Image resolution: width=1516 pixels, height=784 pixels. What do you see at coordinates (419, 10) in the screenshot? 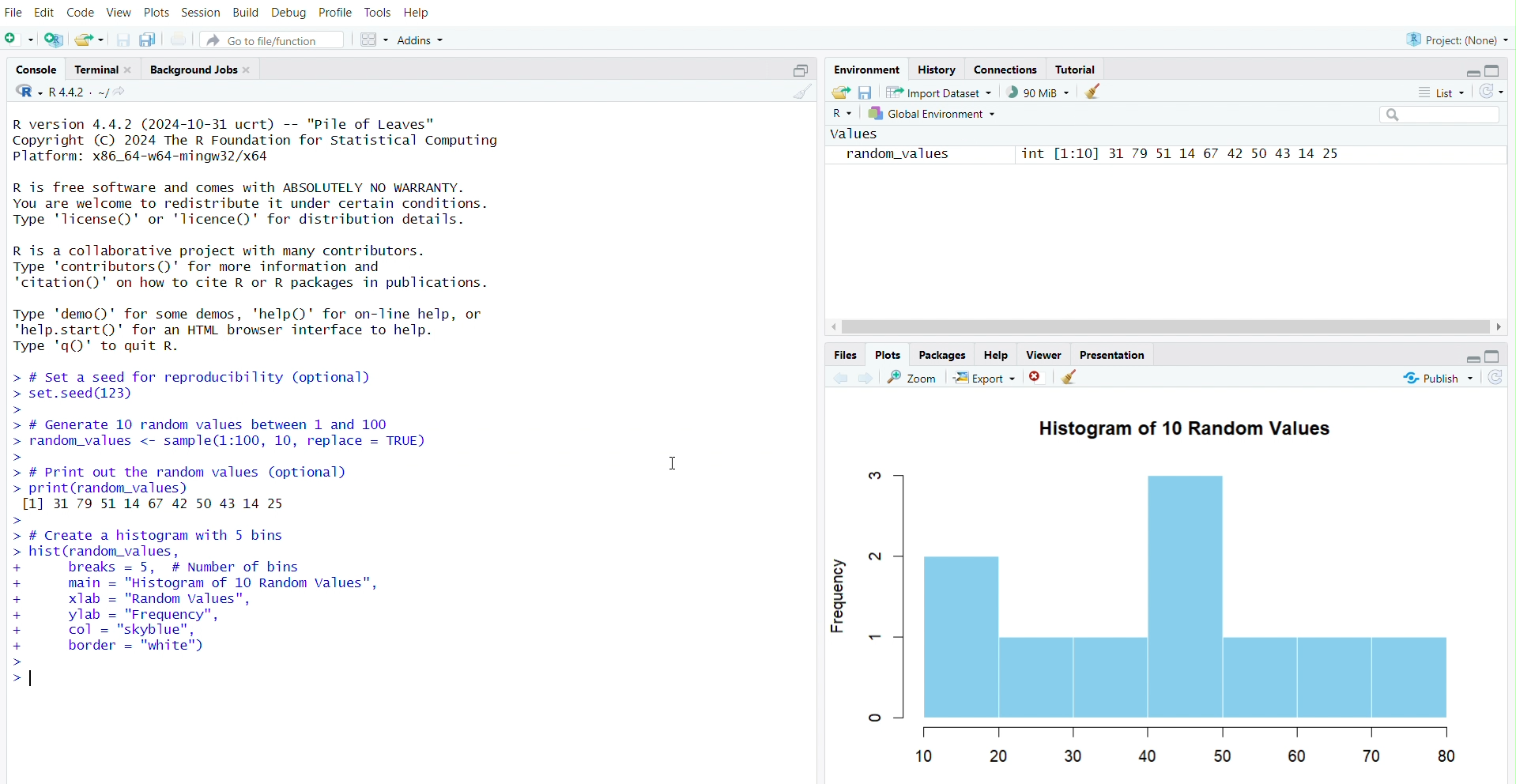
I see `help` at bounding box center [419, 10].